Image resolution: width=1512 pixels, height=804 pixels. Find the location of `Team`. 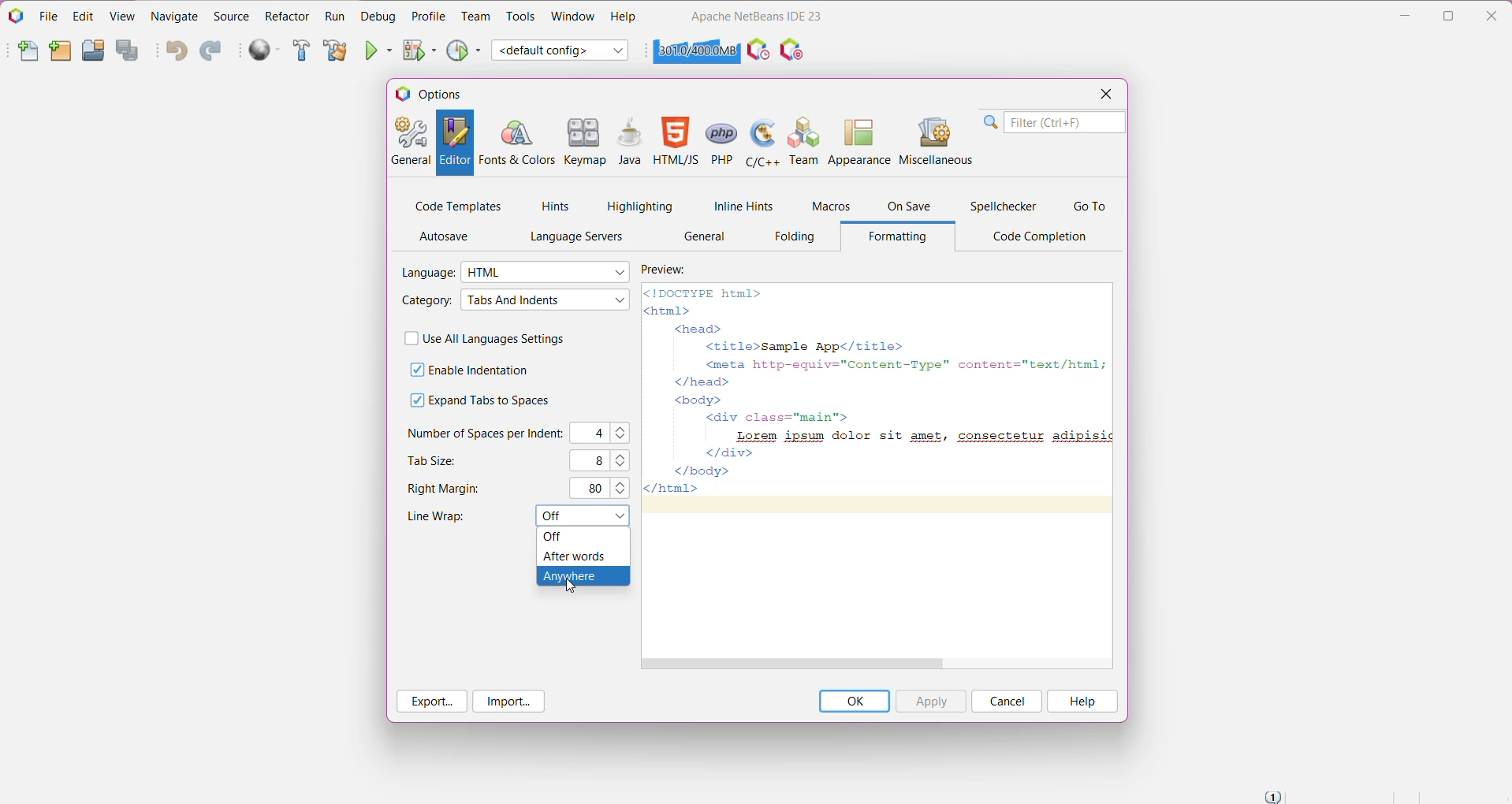

Team is located at coordinates (475, 17).